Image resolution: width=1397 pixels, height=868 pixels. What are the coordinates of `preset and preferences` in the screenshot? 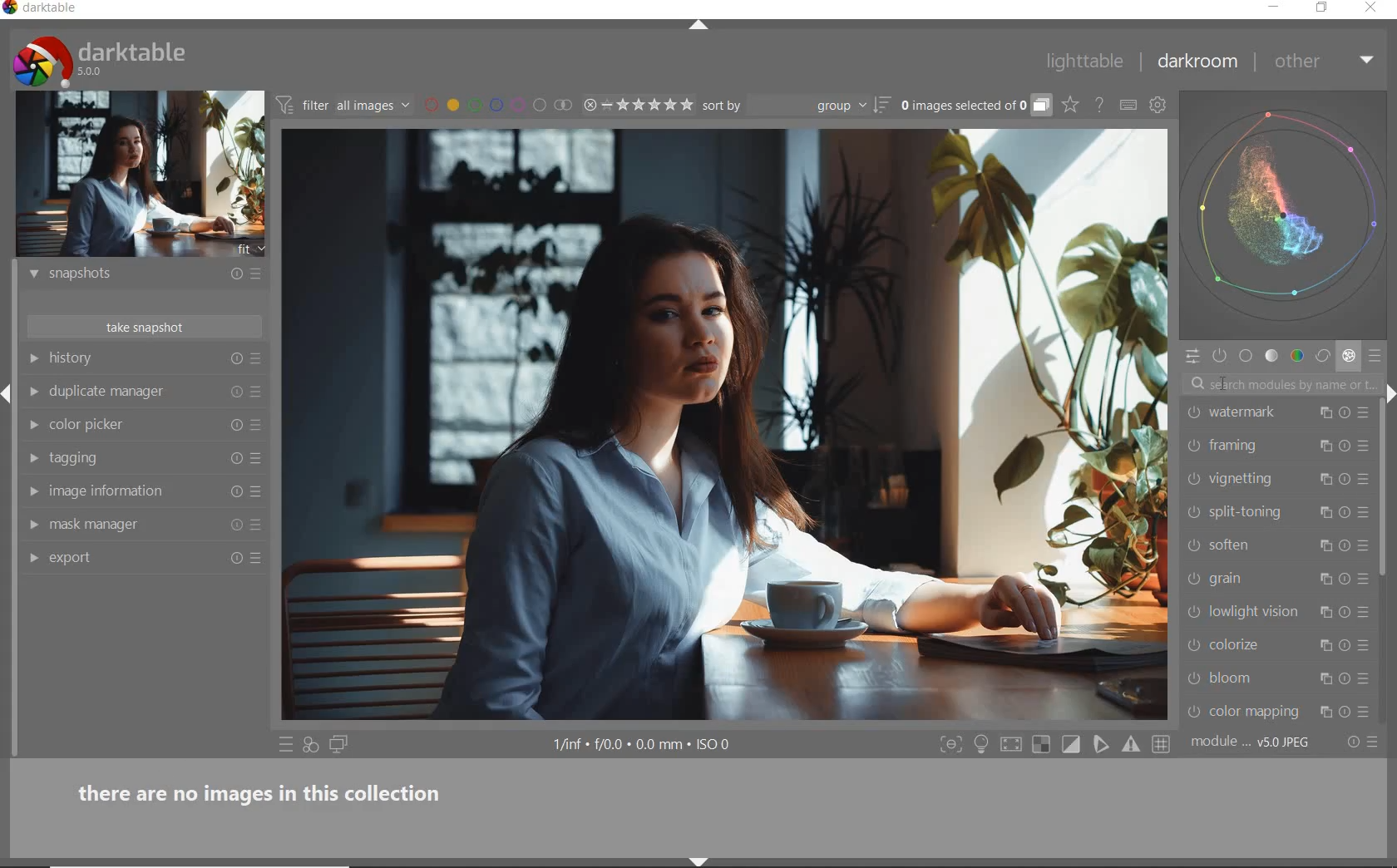 It's located at (257, 392).